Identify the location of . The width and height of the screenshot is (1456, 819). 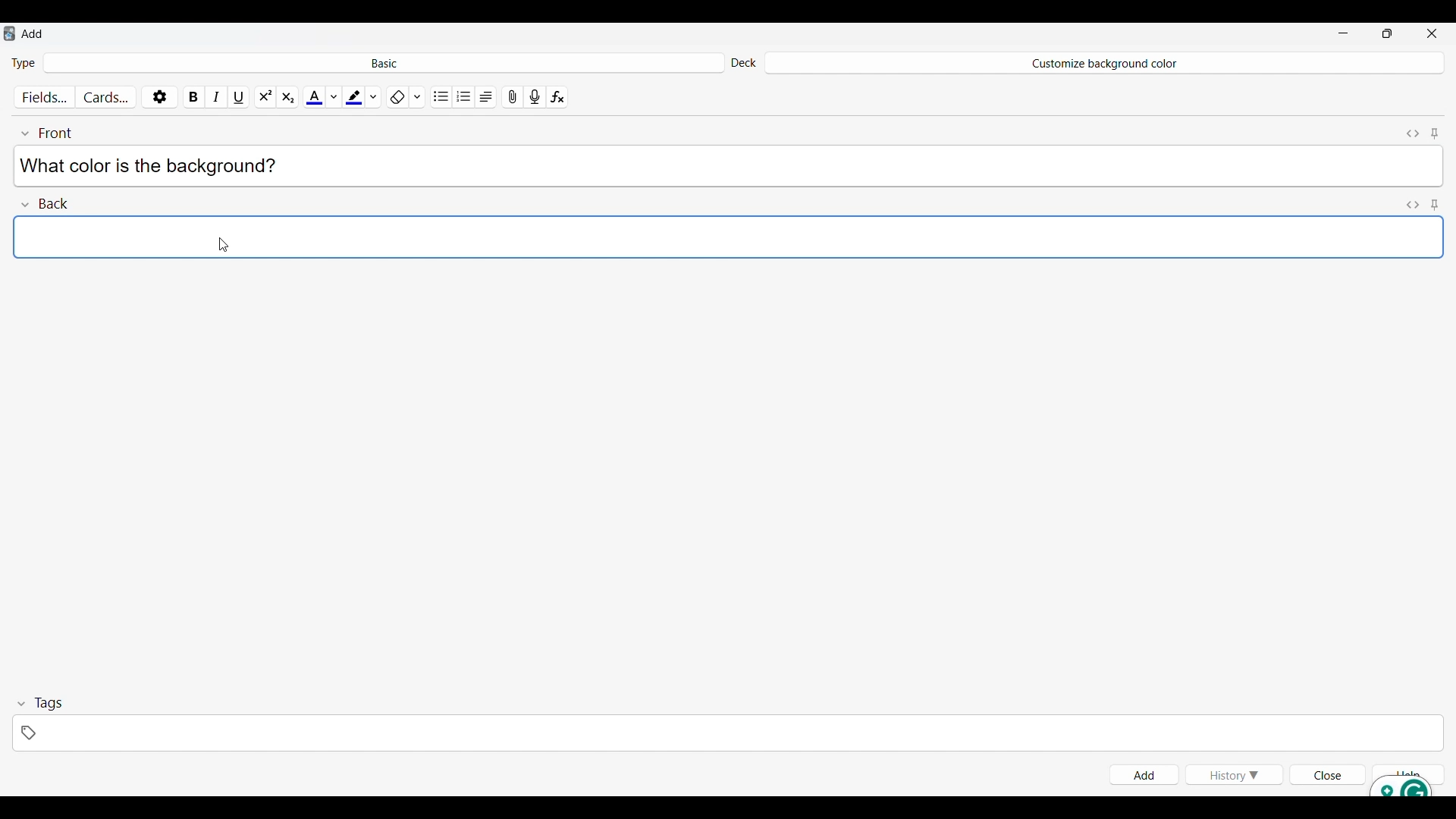
(1235, 774).